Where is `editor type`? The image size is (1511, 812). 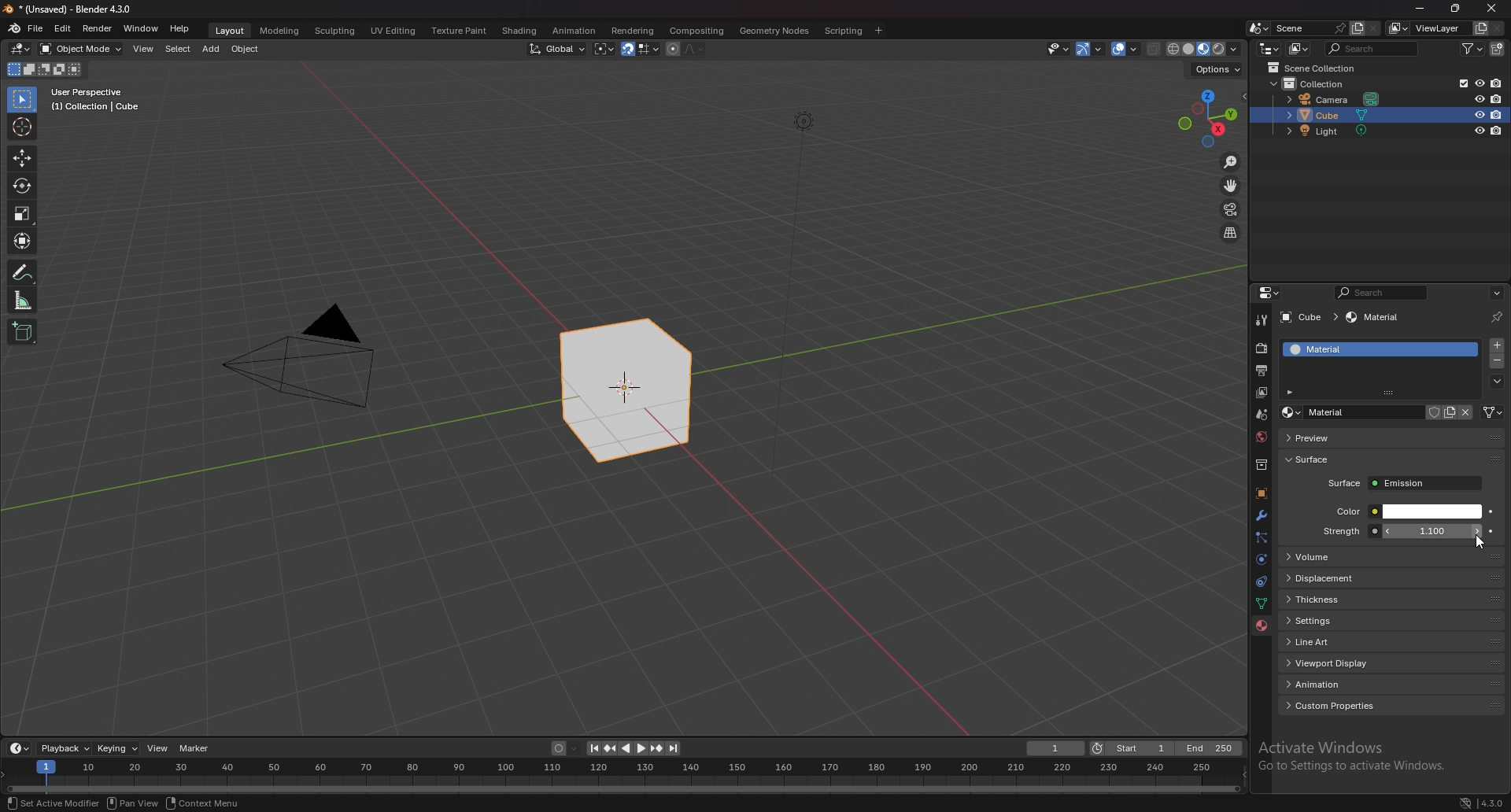 editor type is located at coordinates (19, 748).